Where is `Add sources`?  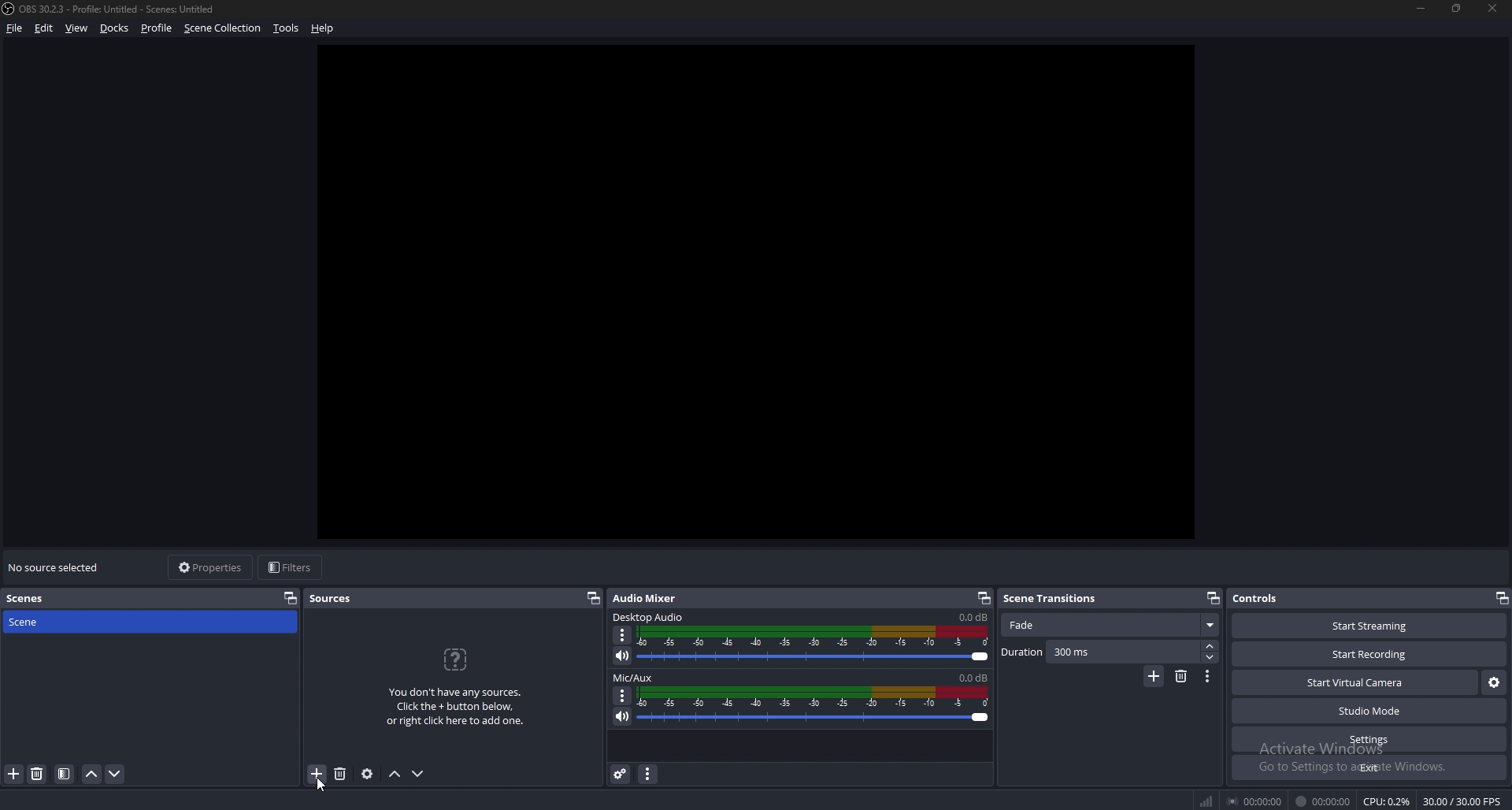
Add sources is located at coordinates (315, 773).